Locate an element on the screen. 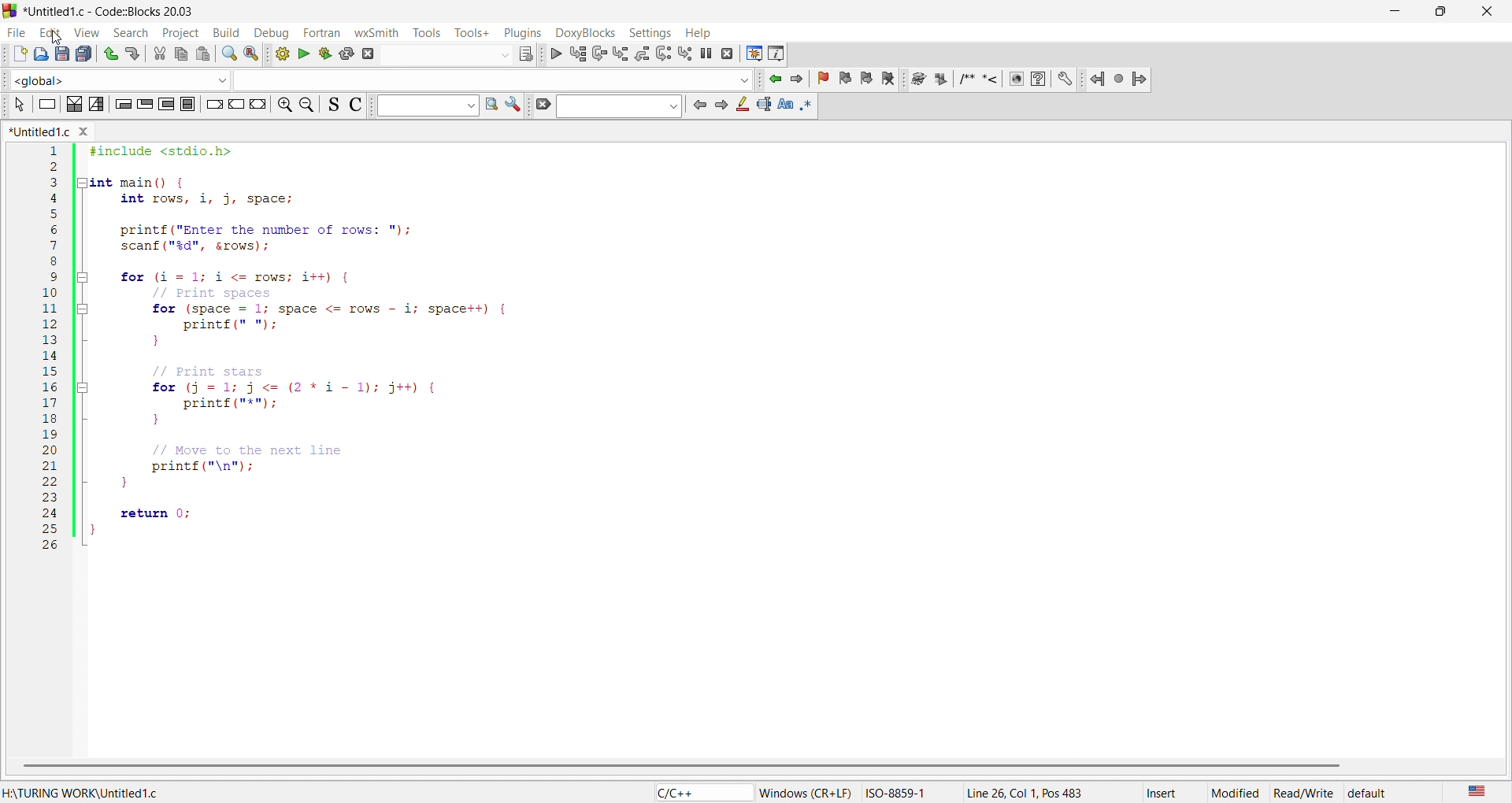 This screenshot has width=1512, height=803. search is located at coordinates (224, 54).